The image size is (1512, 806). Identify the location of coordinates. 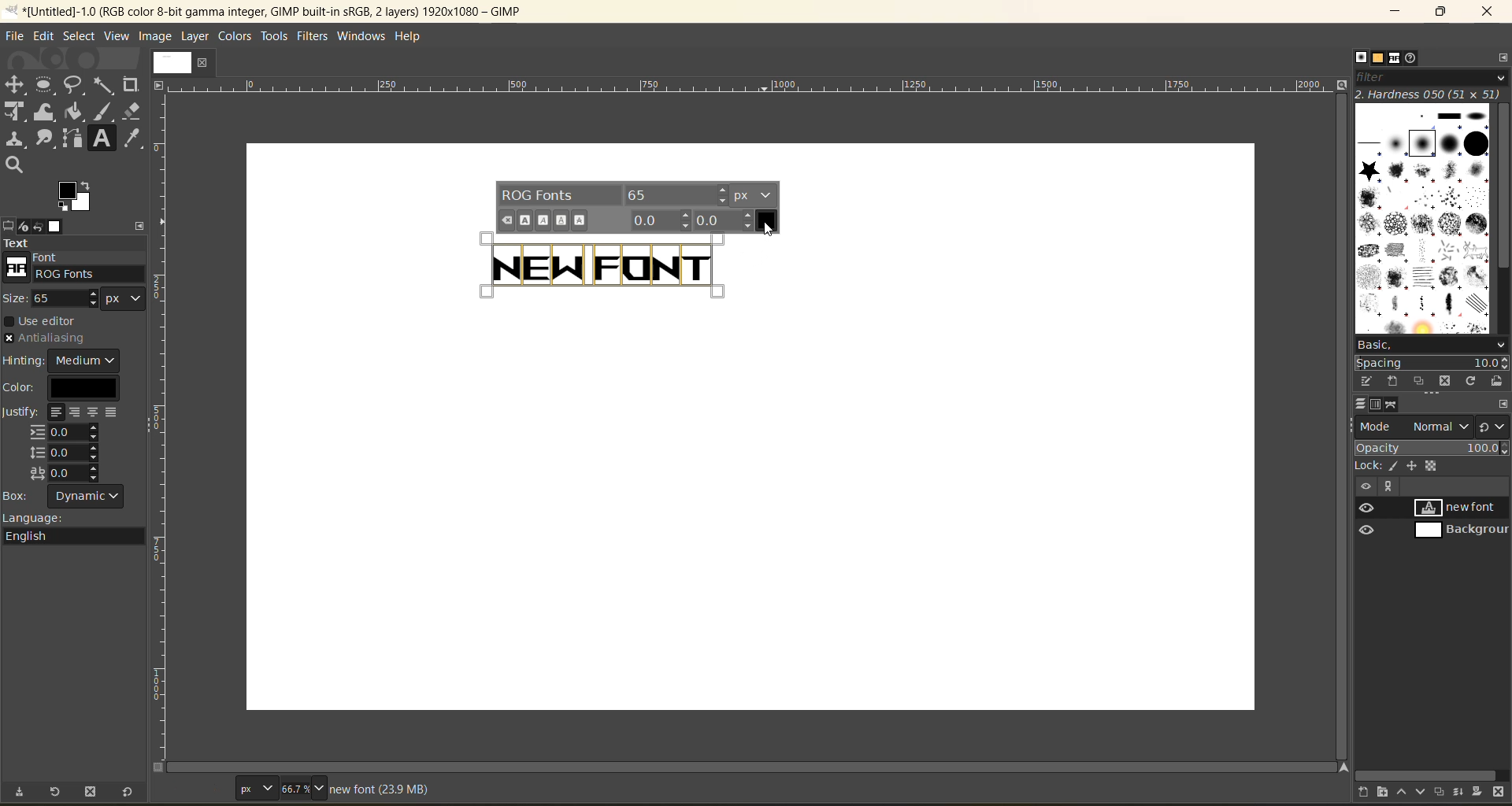
(198, 786).